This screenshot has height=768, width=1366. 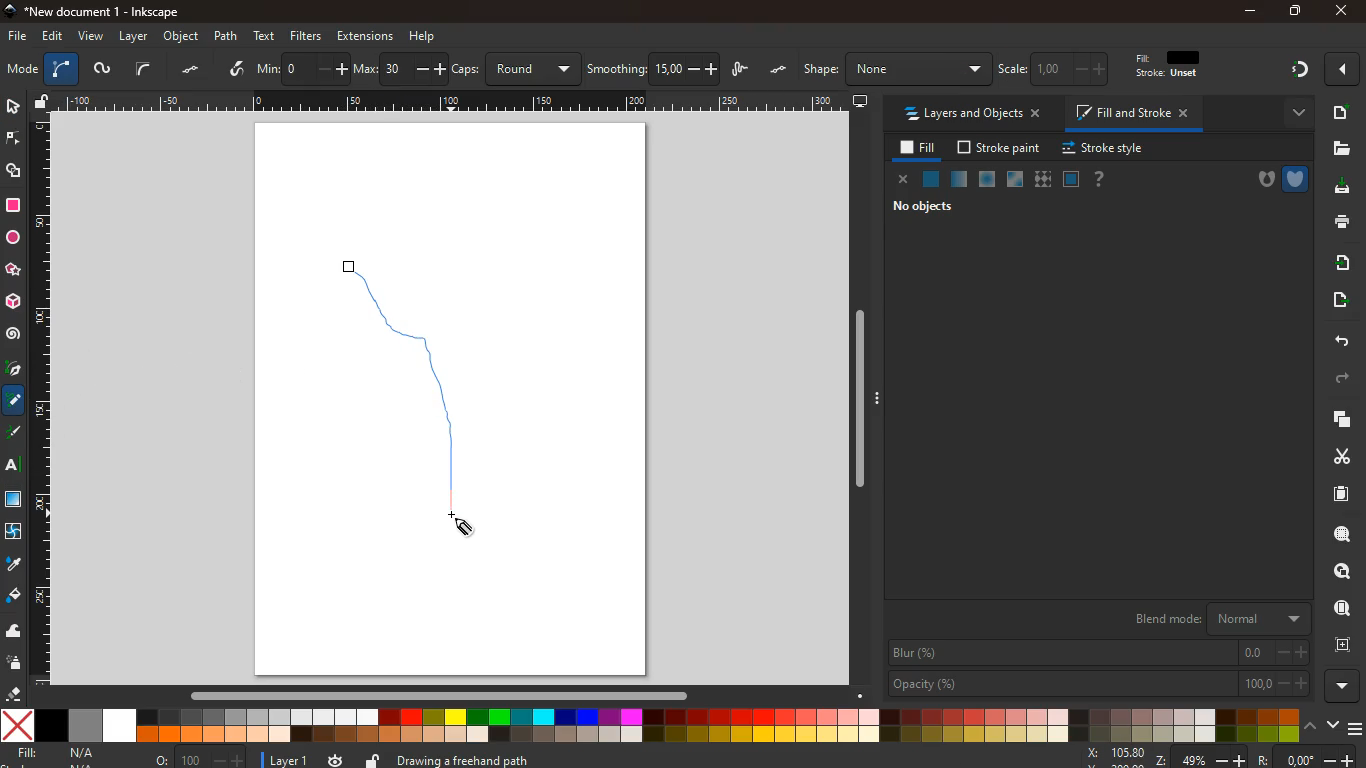 What do you see at coordinates (1335, 572) in the screenshot?
I see `find` at bounding box center [1335, 572].